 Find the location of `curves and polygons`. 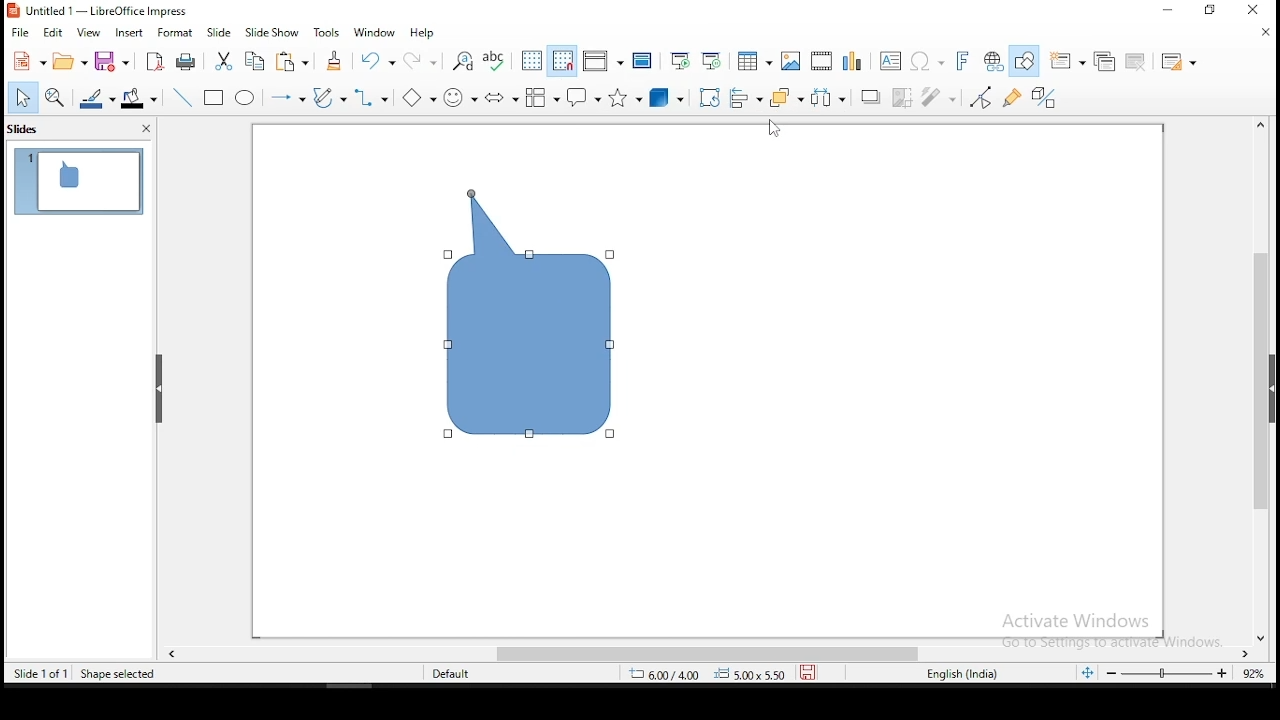

curves and polygons is located at coordinates (329, 98).